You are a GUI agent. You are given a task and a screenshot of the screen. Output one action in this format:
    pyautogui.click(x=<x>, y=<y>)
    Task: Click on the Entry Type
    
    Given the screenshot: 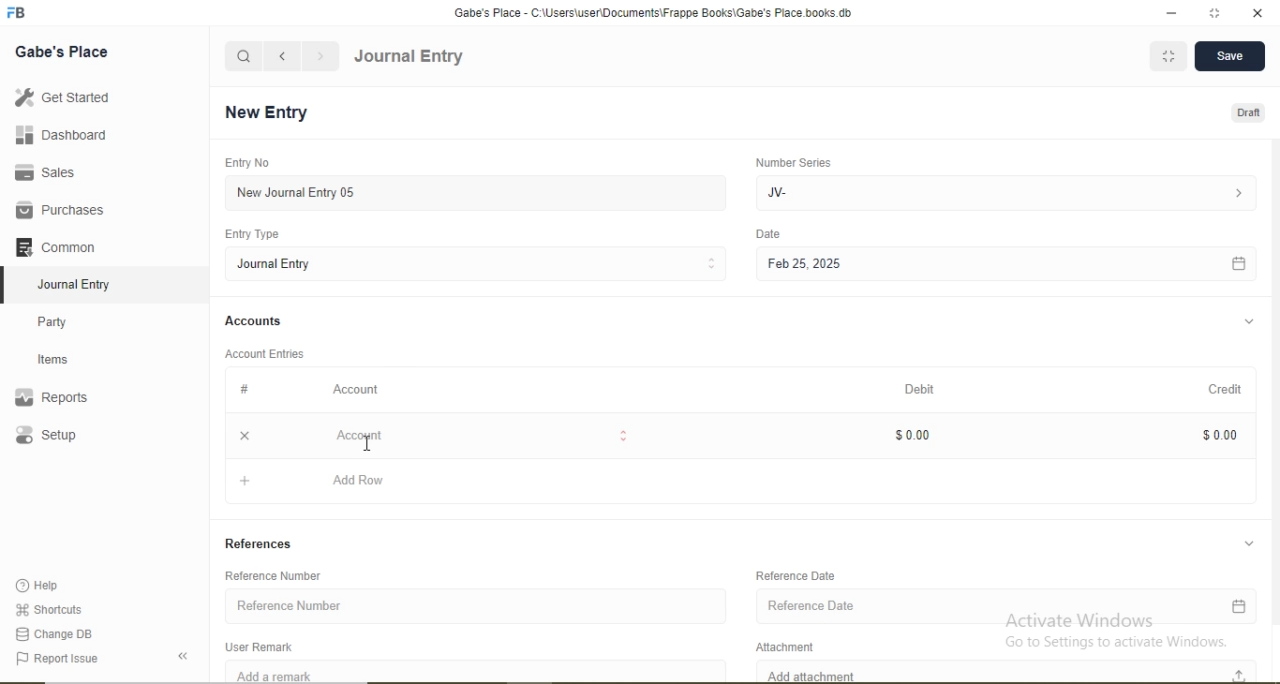 What is the action you would take?
    pyautogui.click(x=254, y=234)
    